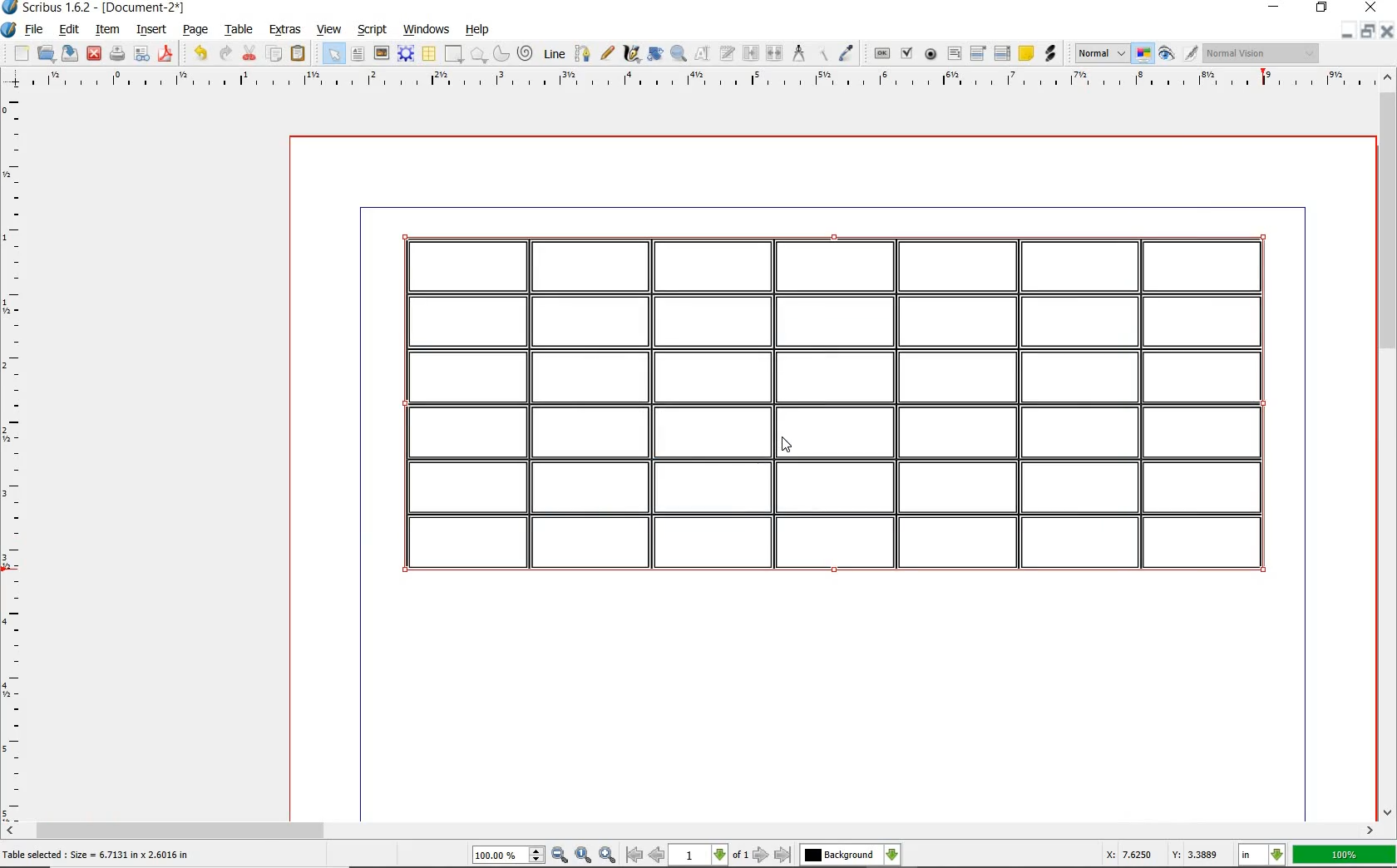 This screenshot has width=1397, height=868. Describe the element at coordinates (1322, 8) in the screenshot. I see `restore` at that location.